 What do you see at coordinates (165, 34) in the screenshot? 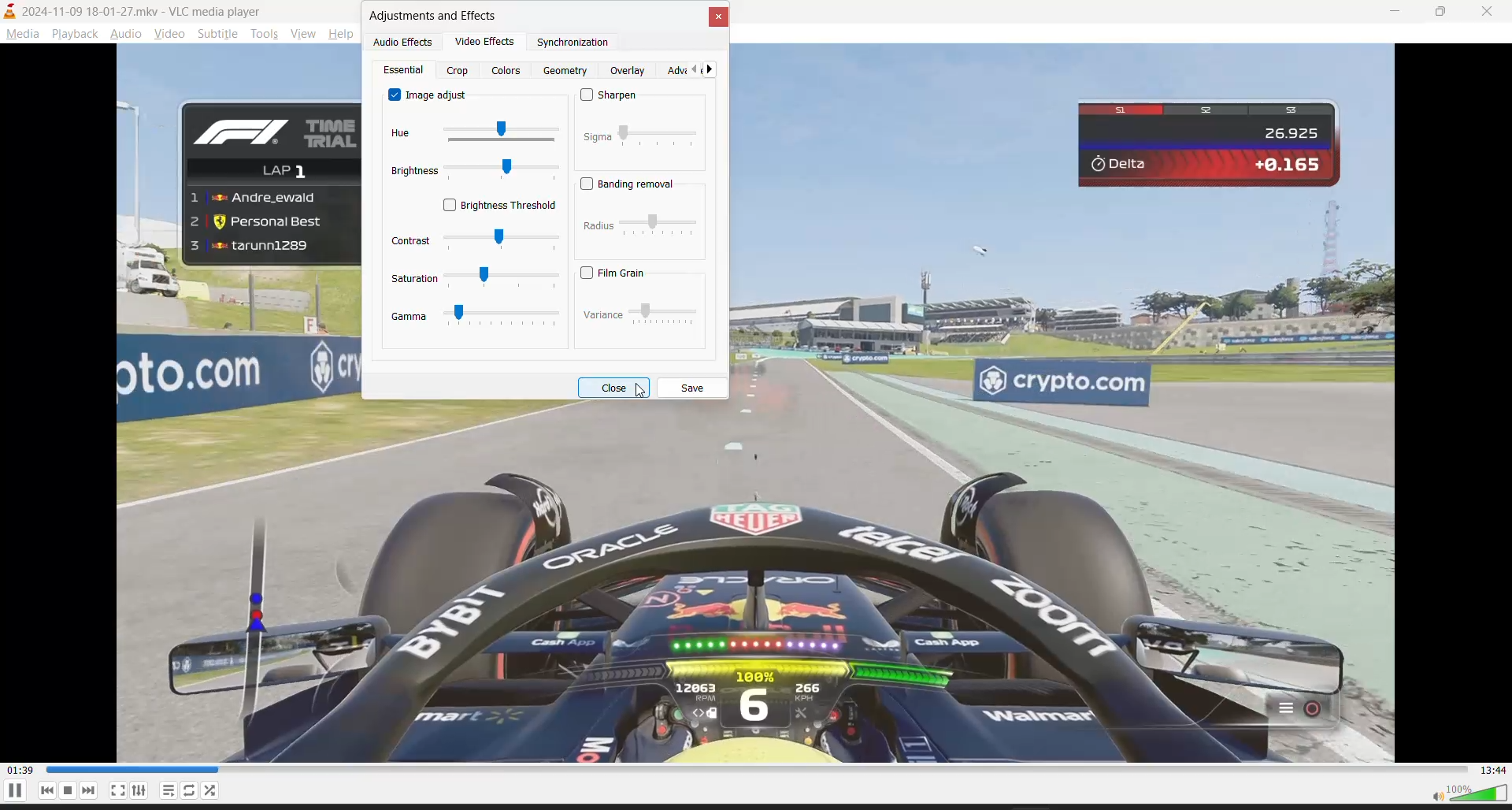
I see `video` at bounding box center [165, 34].